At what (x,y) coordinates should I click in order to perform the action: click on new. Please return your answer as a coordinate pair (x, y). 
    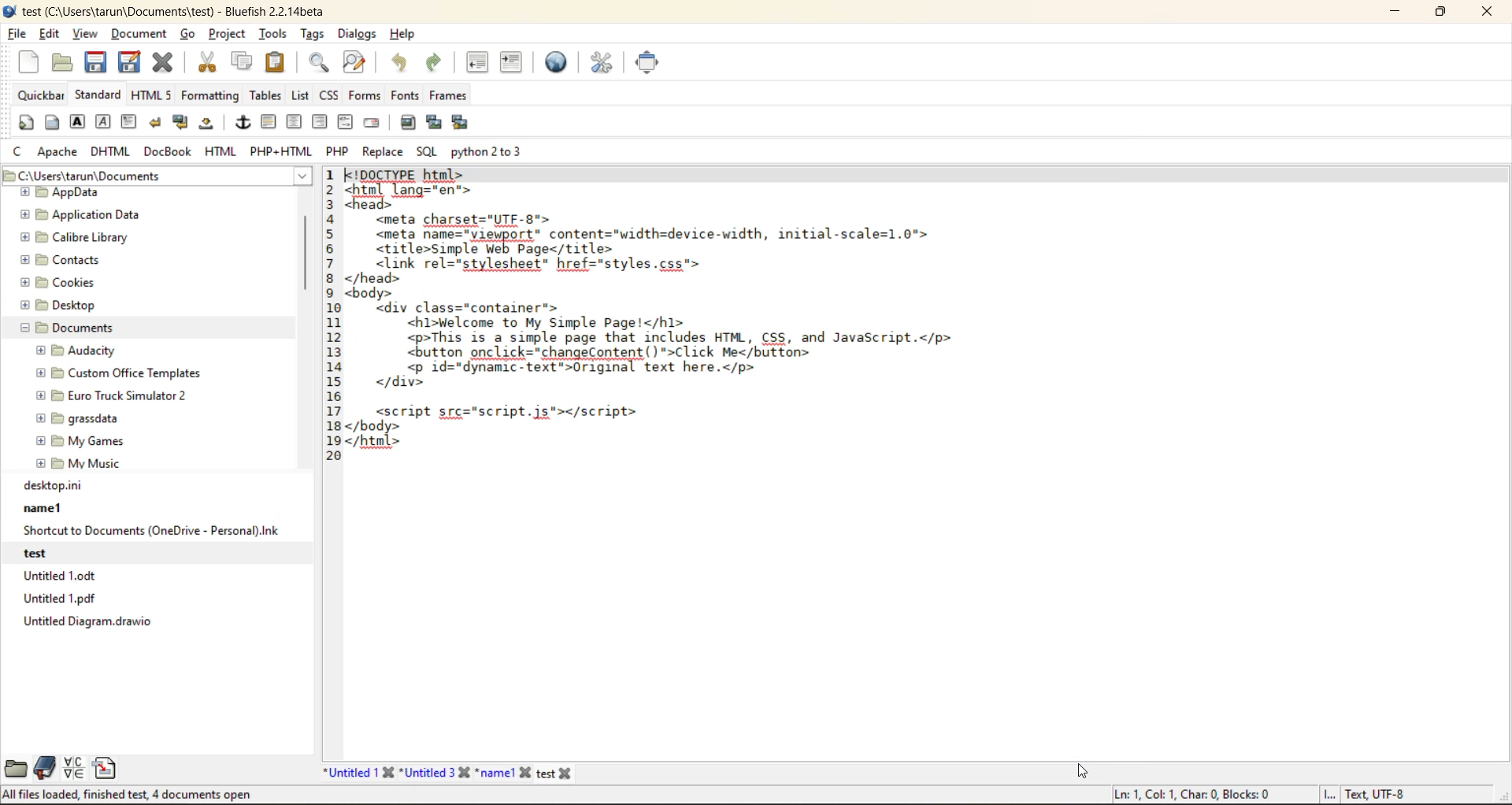
    Looking at the image, I should click on (24, 62).